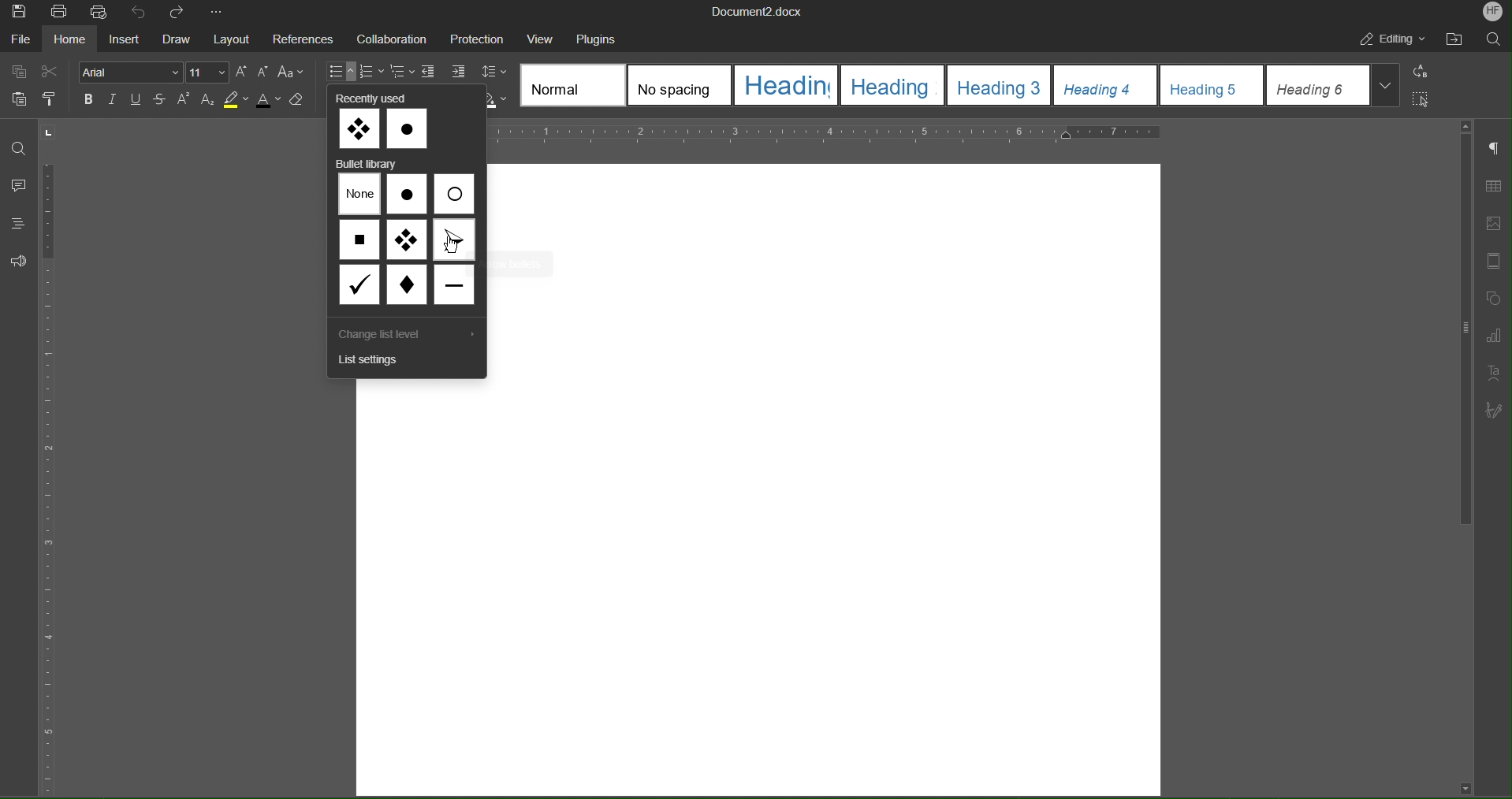 This screenshot has height=799, width=1512. What do you see at coordinates (18, 98) in the screenshot?
I see `Paste` at bounding box center [18, 98].